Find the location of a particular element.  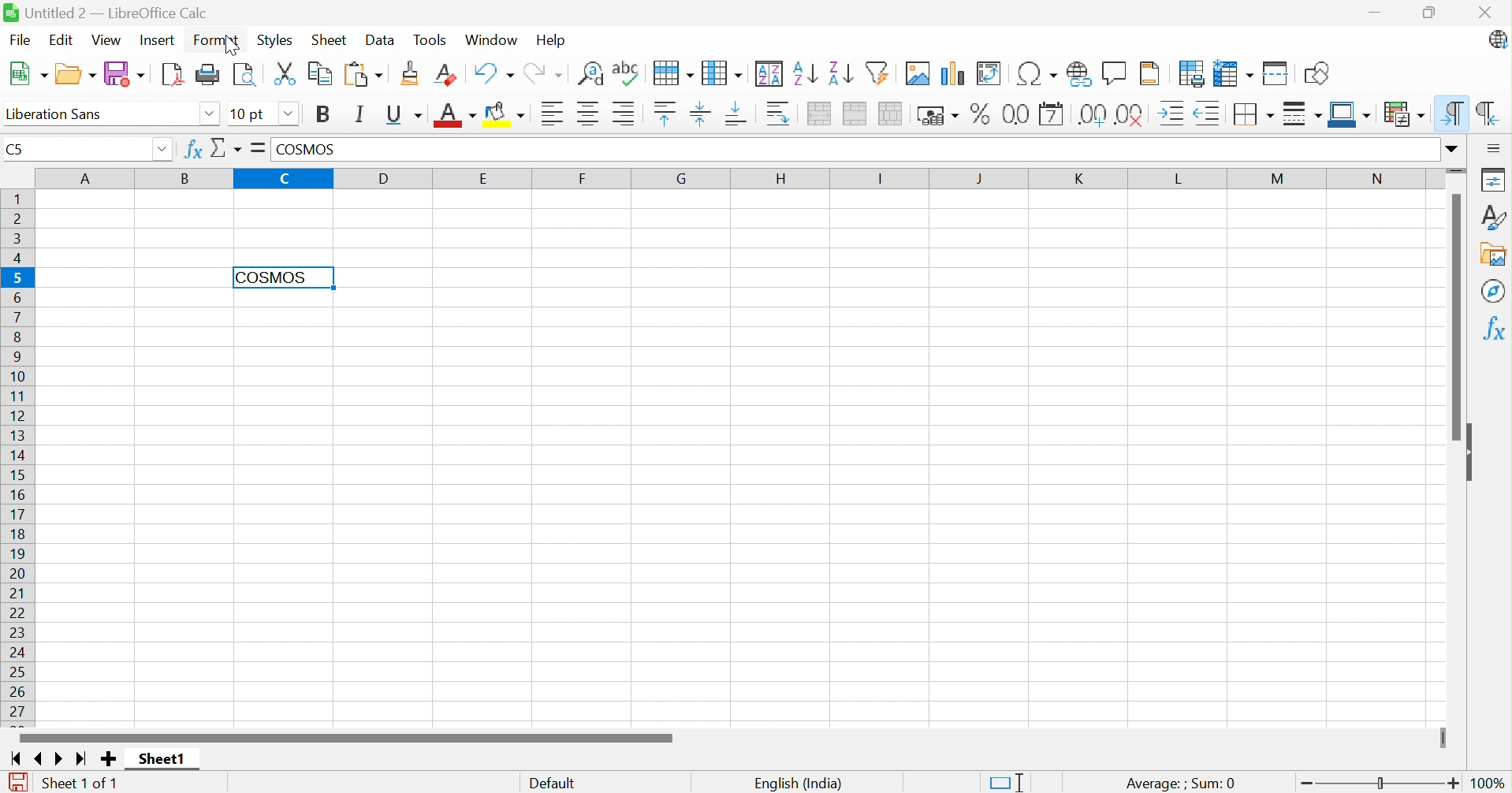

File is located at coordinates (23, 39).